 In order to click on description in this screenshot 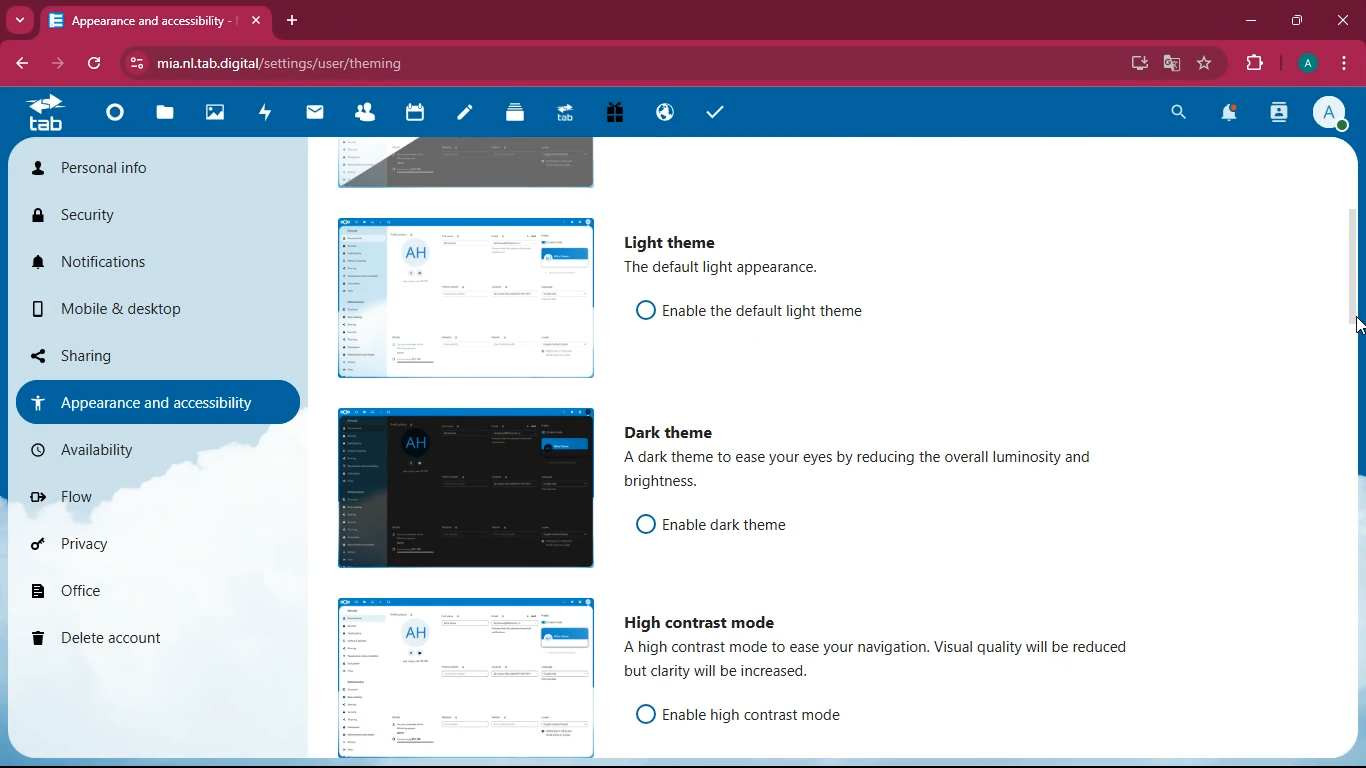, I will do `click(718, 268)`.